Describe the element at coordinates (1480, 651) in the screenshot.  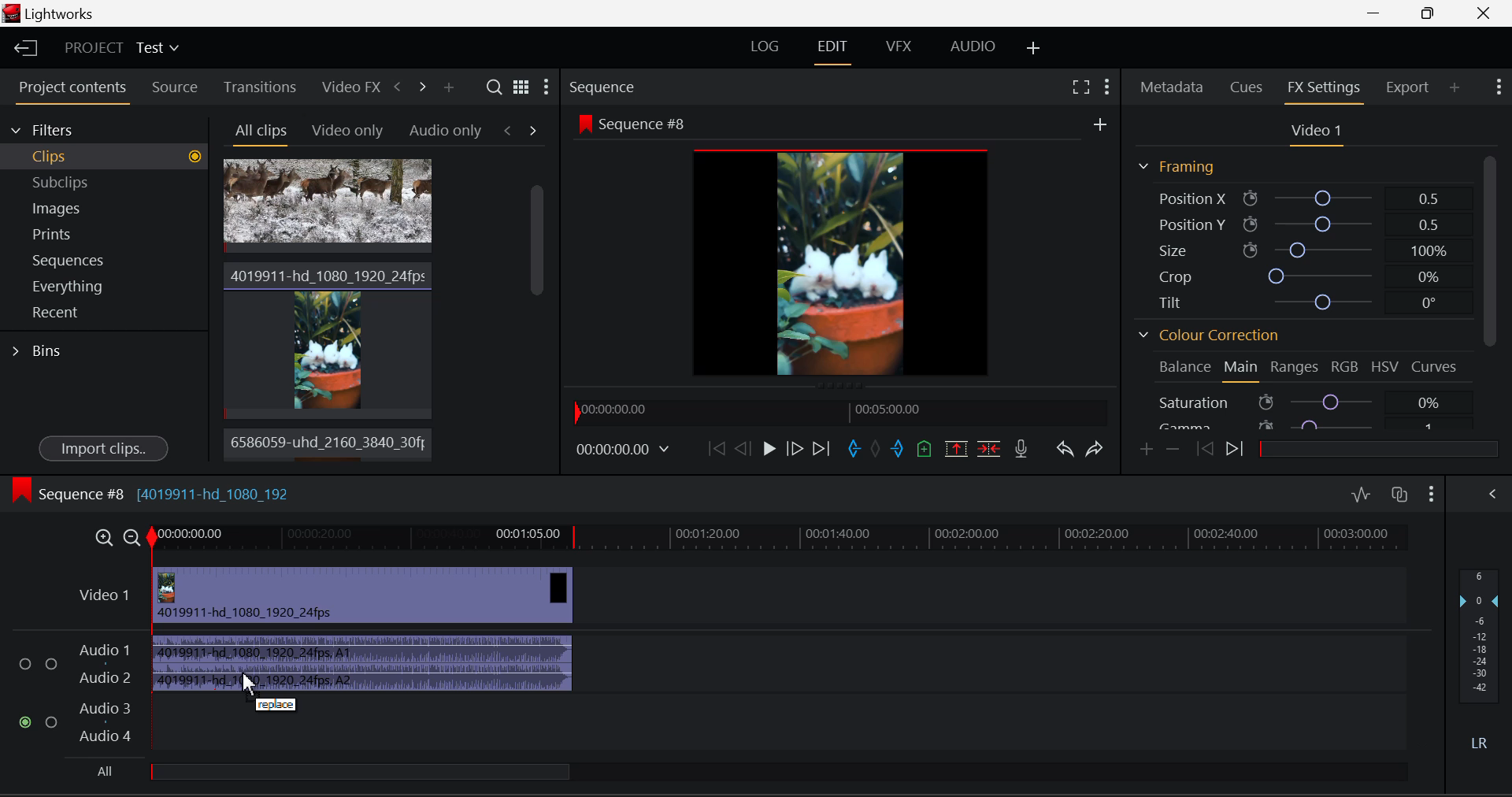
I see `Decibel Level` at that location.